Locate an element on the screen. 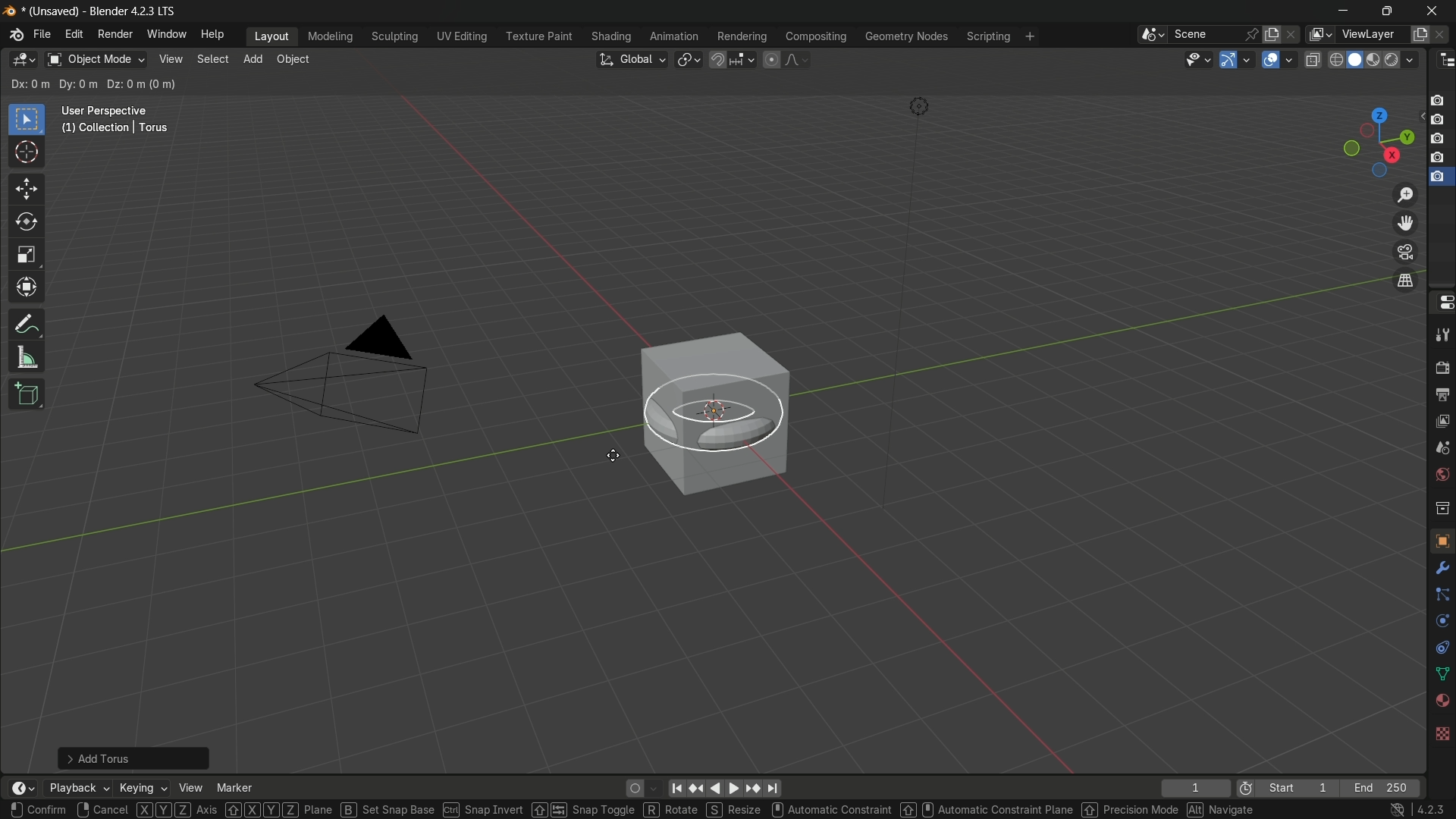 The height and width of the screenshot is (819, 1456). transformation is located at coordinates (28, 289).